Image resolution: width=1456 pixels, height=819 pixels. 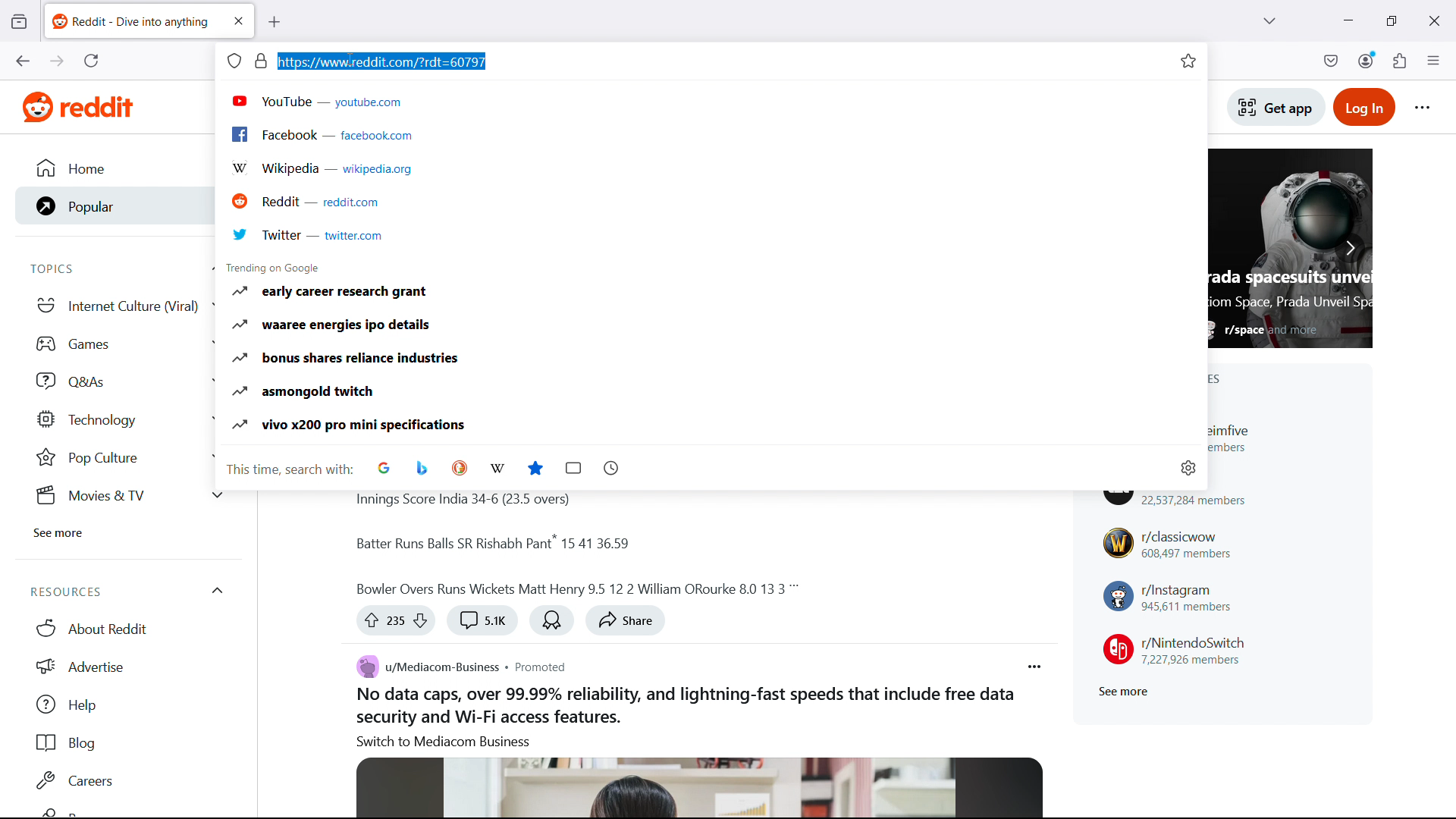 What do you see at coordinates (421, 469) in the screenshot?
I see `Choose Bing` at bounding box center [421, 469].